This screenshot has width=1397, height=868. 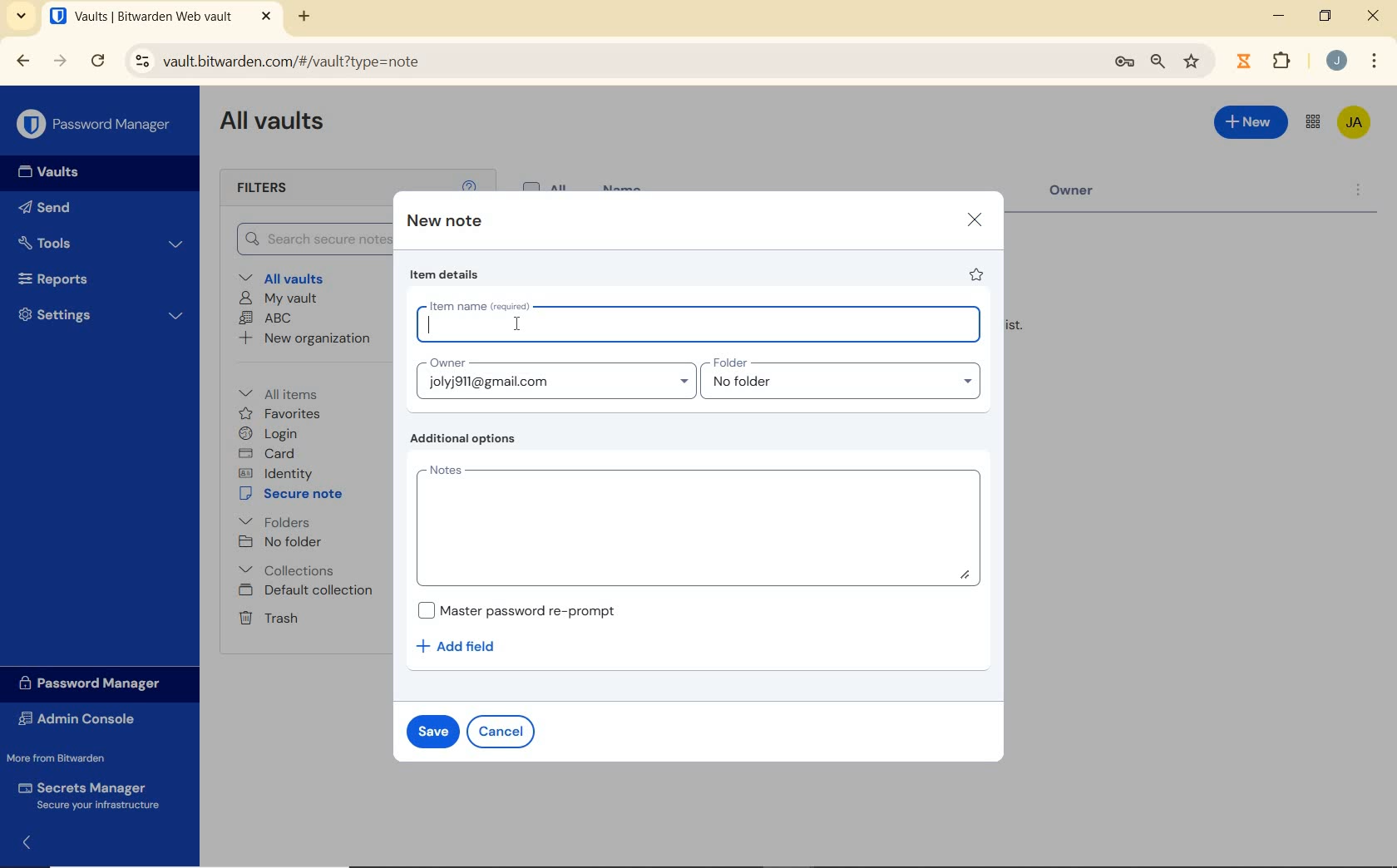 What do you see at coordinates (268, 618) in the screenshot?
I see `Trash` at bounding box center [268, 618].